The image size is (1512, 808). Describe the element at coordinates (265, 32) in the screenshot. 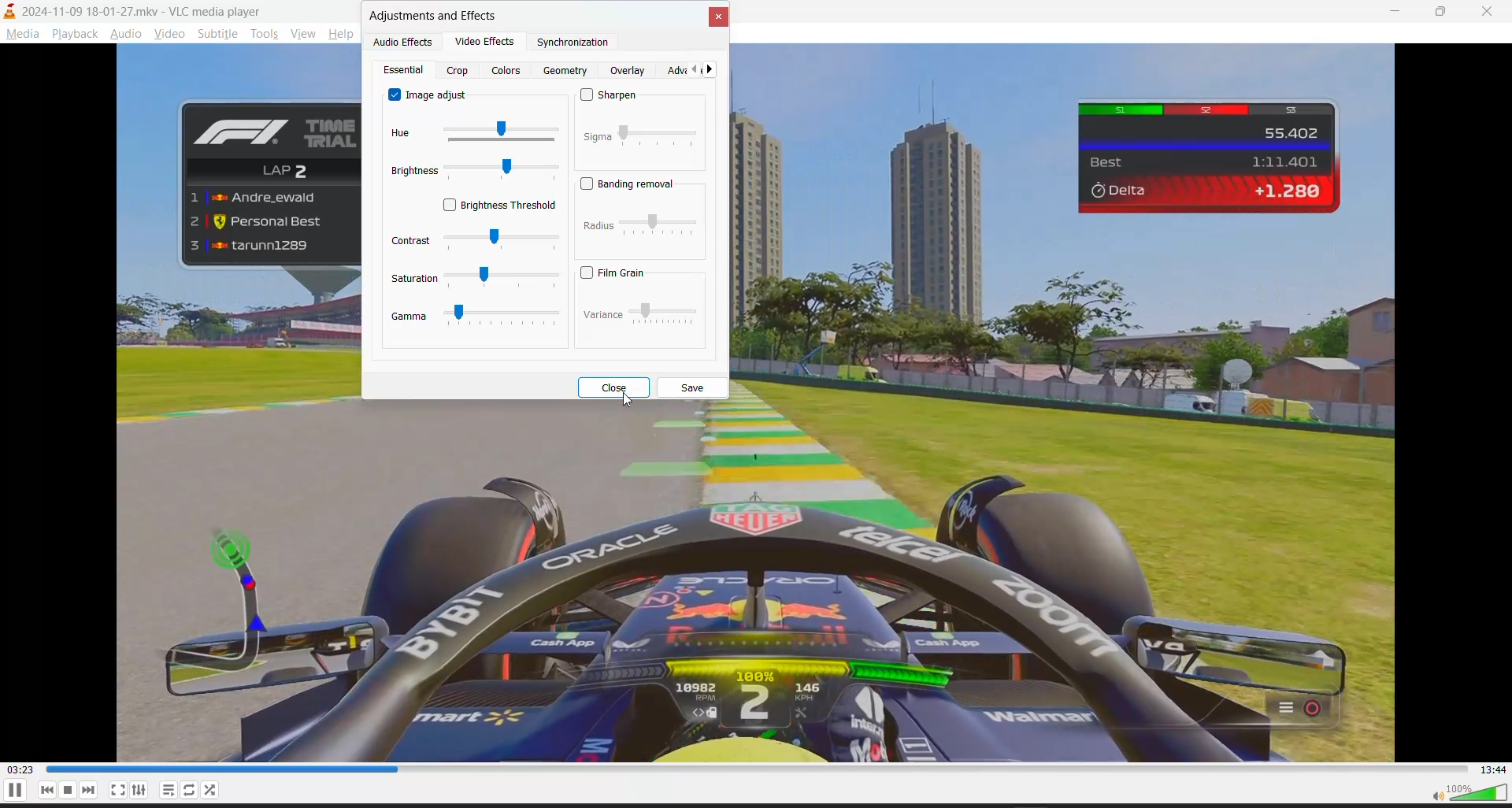

I see `tools` at that location.